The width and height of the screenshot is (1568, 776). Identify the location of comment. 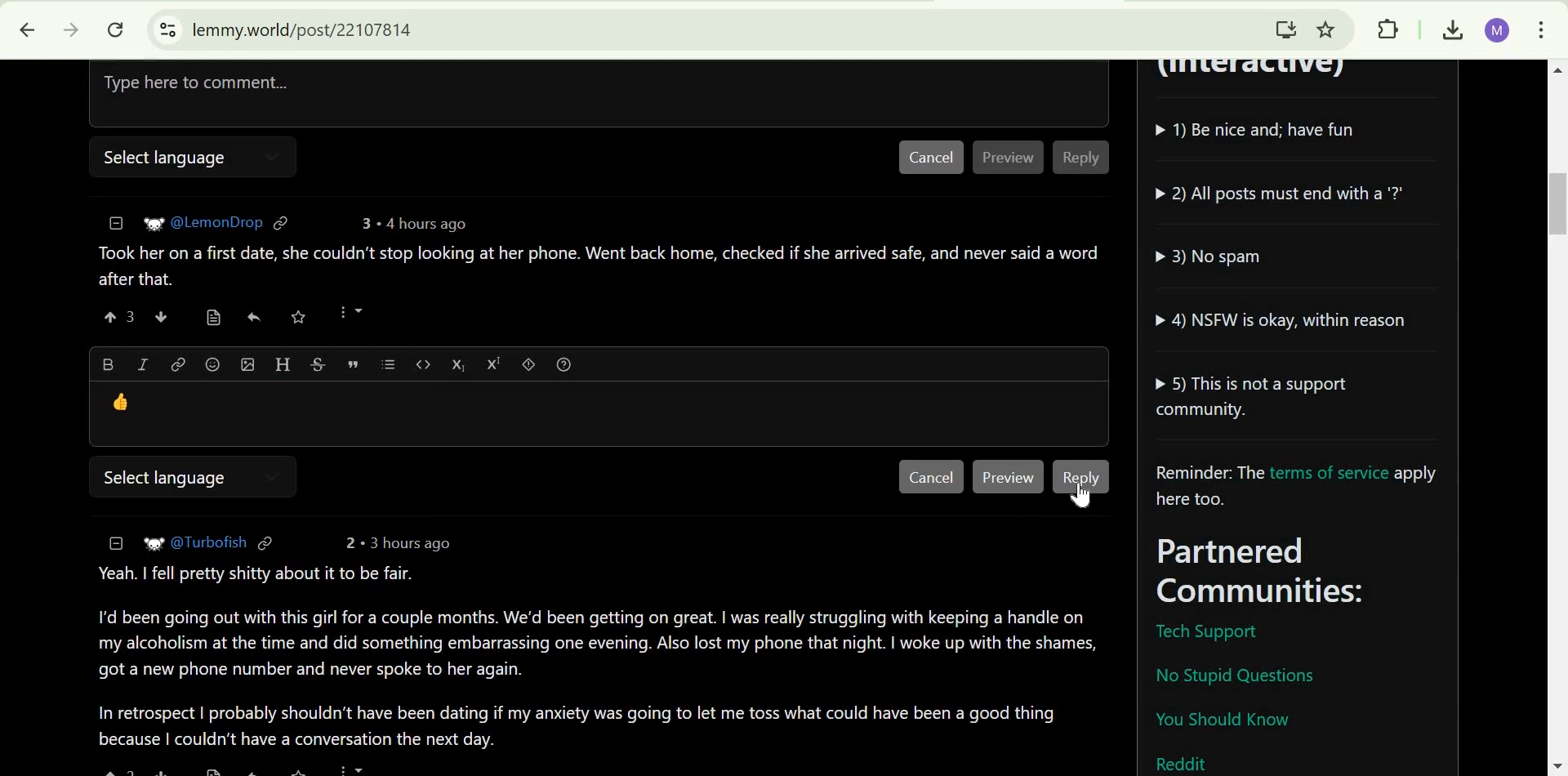
(595, 265).